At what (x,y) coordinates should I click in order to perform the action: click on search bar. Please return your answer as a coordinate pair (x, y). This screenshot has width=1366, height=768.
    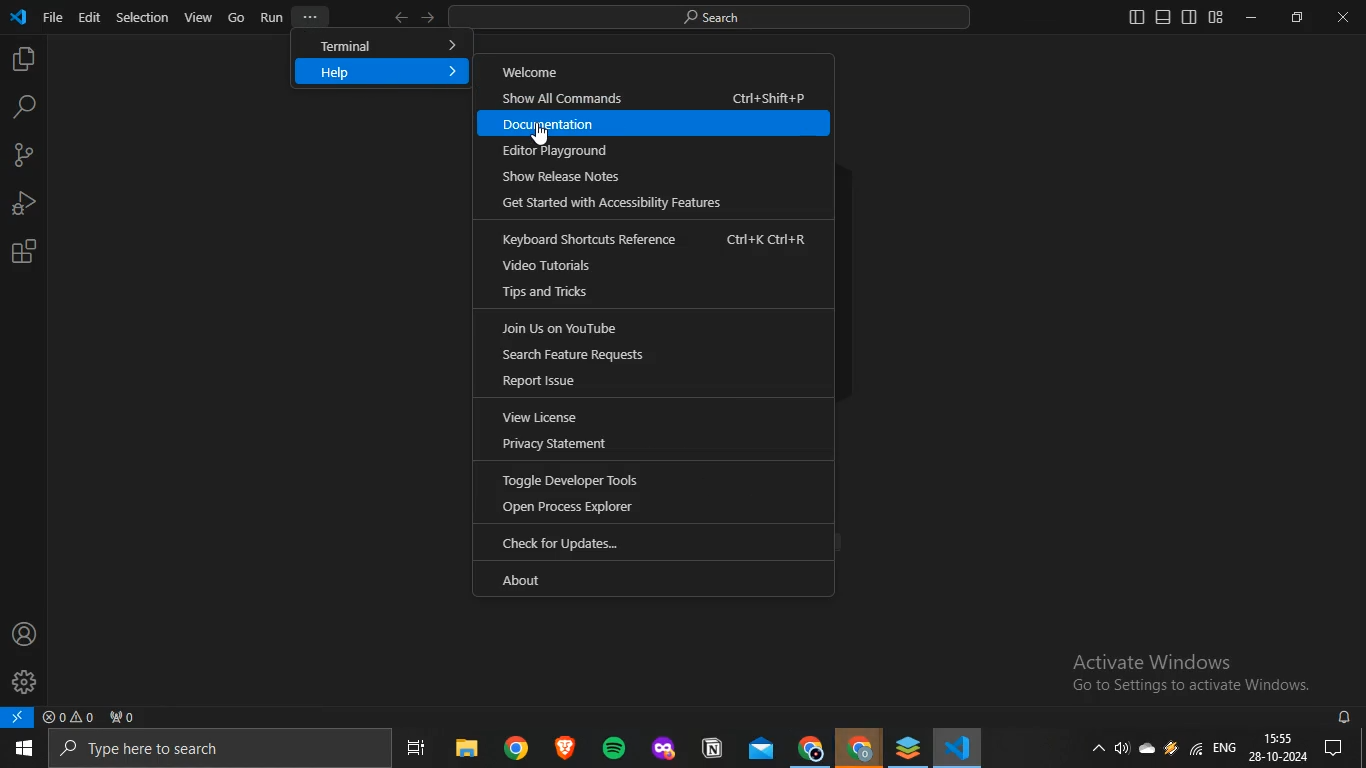
    Looking at the image, I should click on (213, 749).